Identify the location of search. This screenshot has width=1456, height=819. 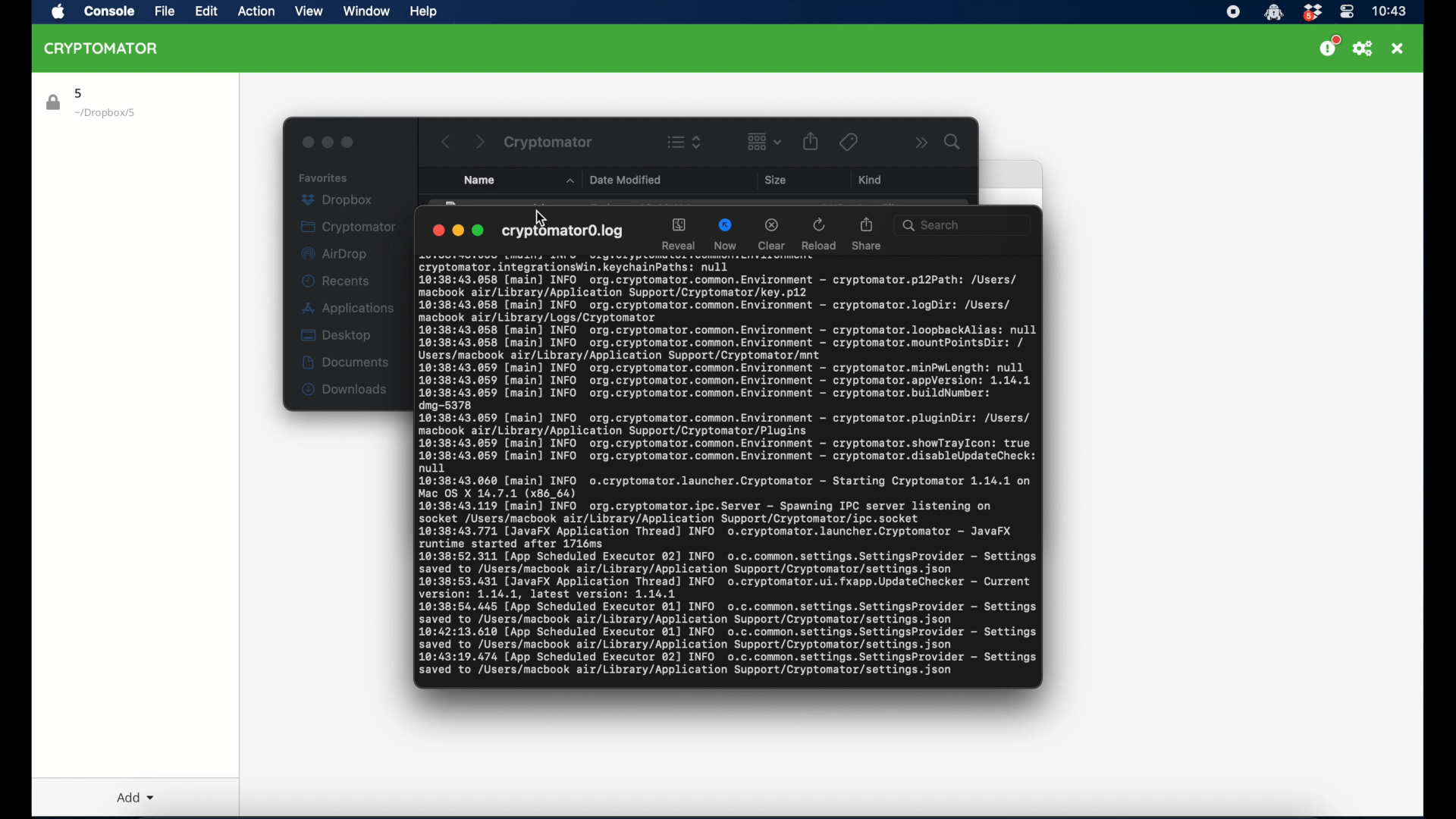
(960, 224).